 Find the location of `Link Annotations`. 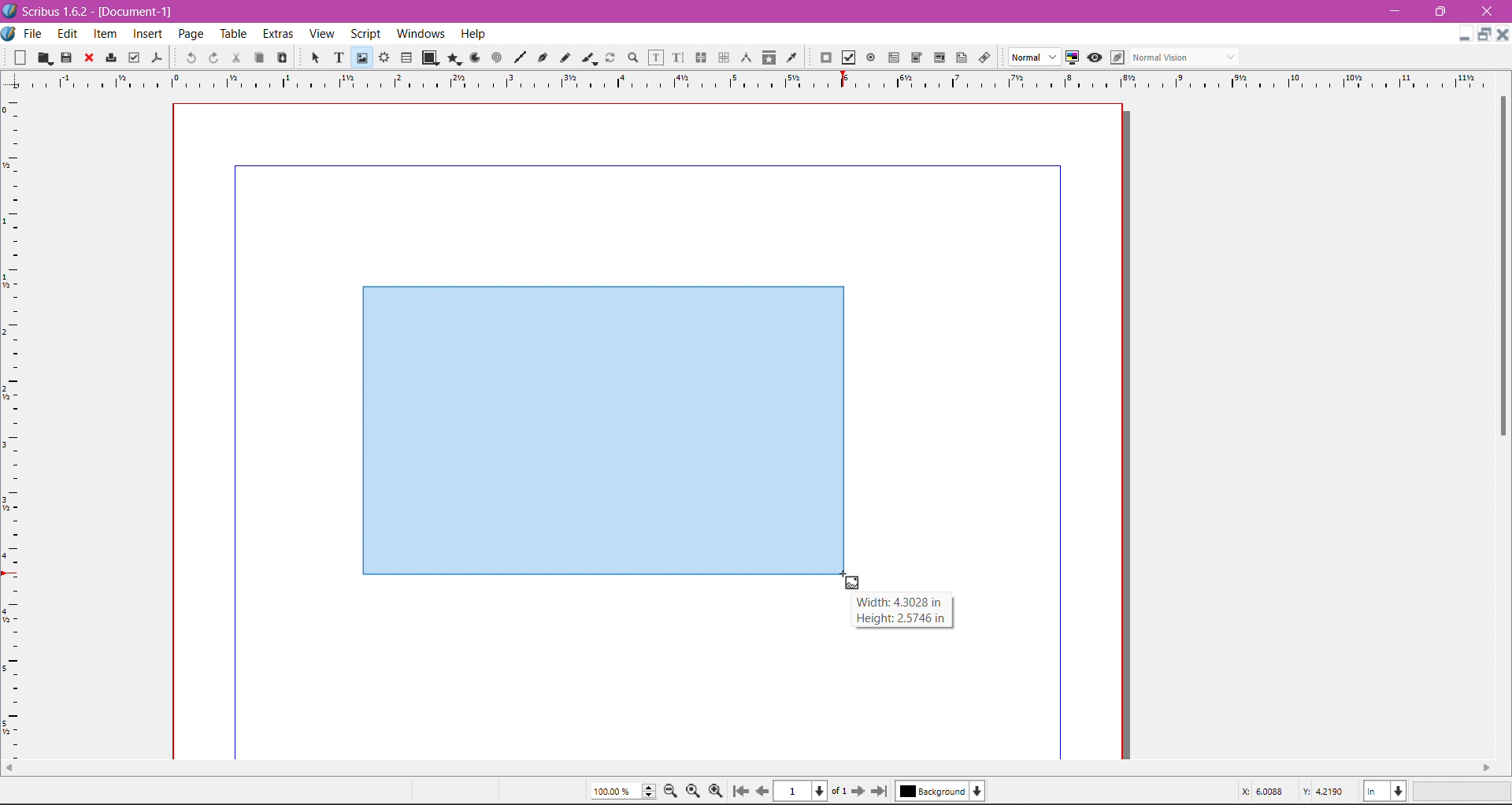

Link Annotations is located at coordinates (984, 58).